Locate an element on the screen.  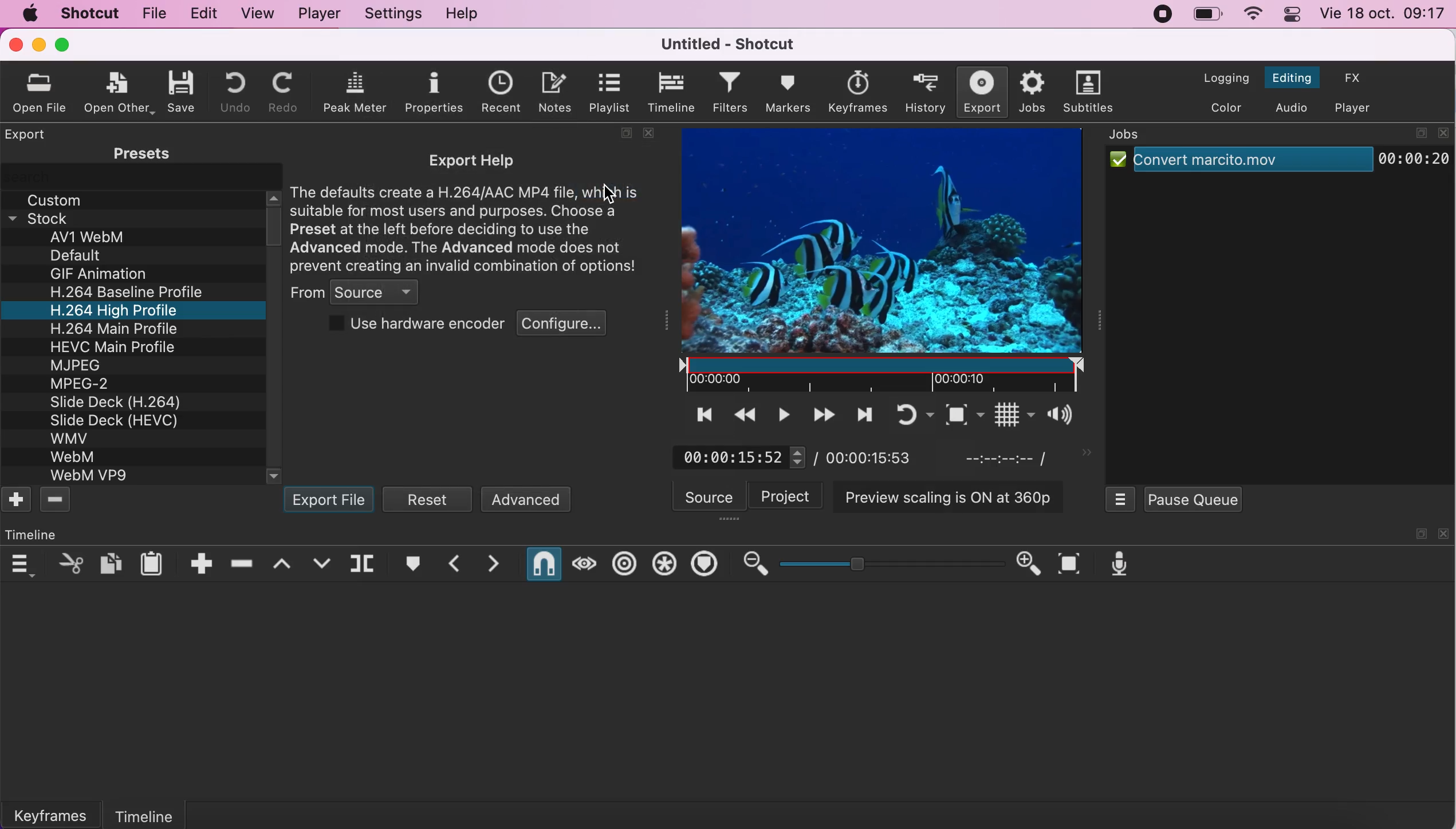
zoom graduation is located at coordinates (892, 564).